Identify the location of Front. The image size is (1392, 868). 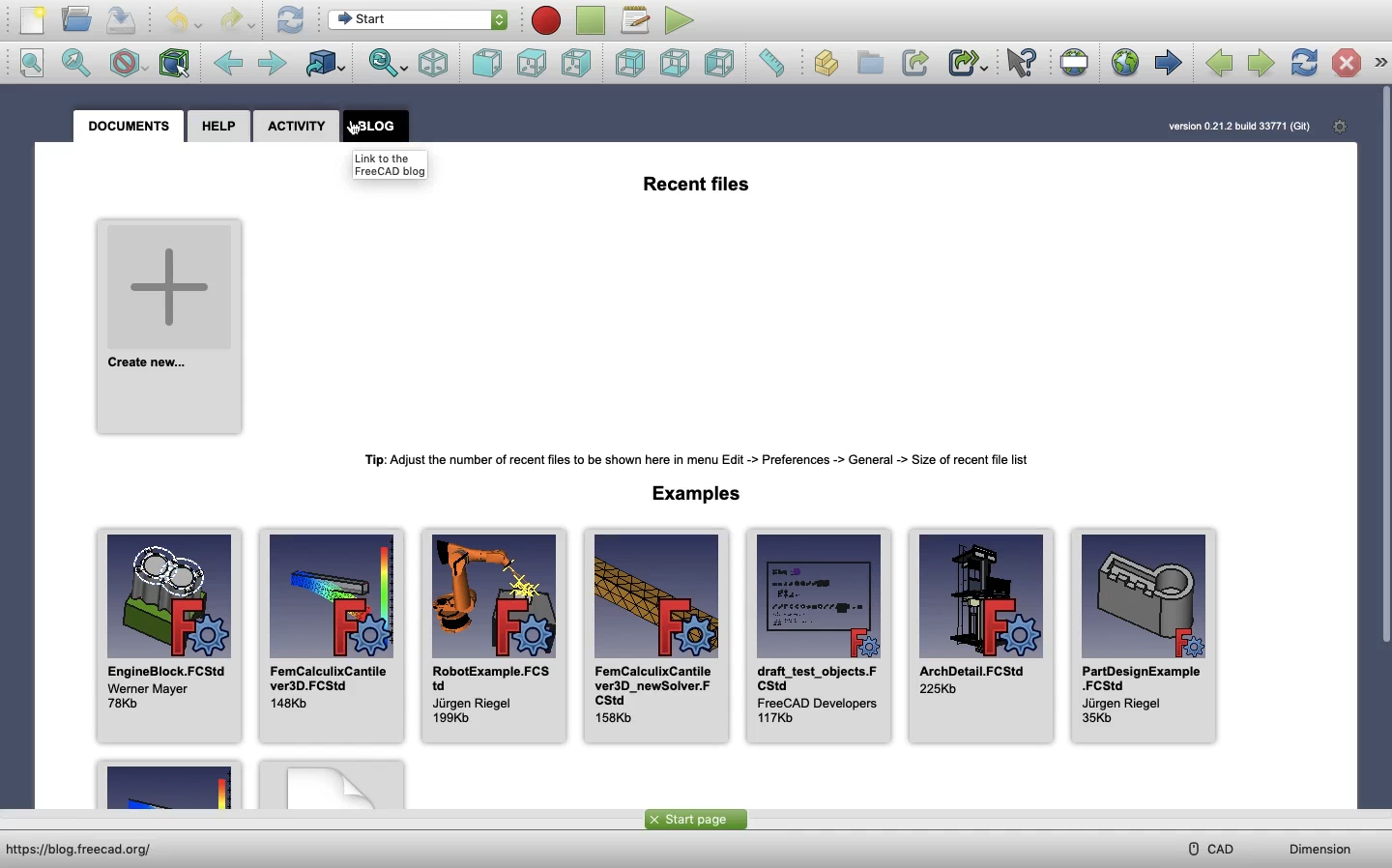
(486, 64).